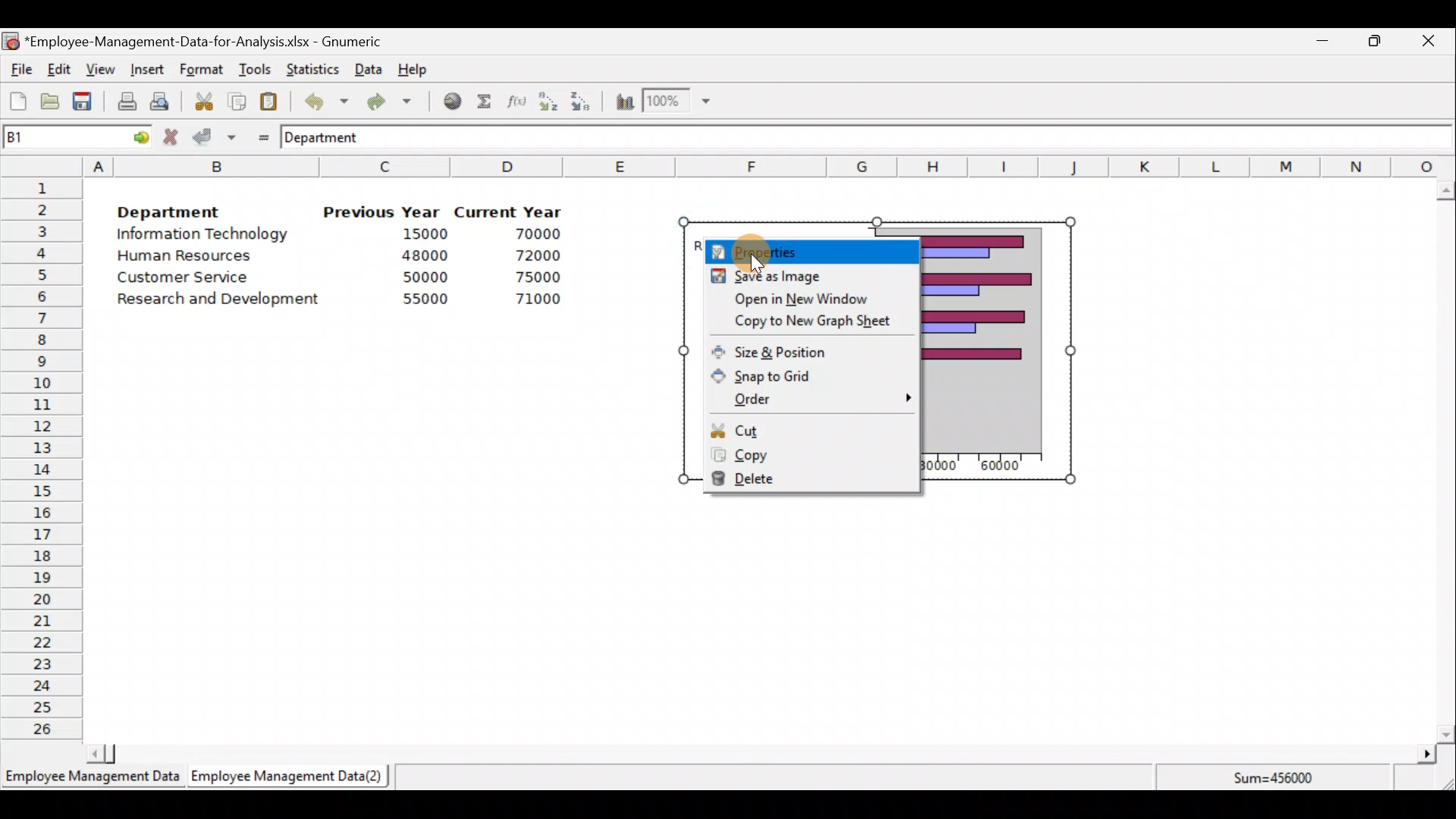 The height and width of the screenshot is (819, 1456). Describe the element at coordinates (529, 278) in the screenshot. I see `75000` at that location.